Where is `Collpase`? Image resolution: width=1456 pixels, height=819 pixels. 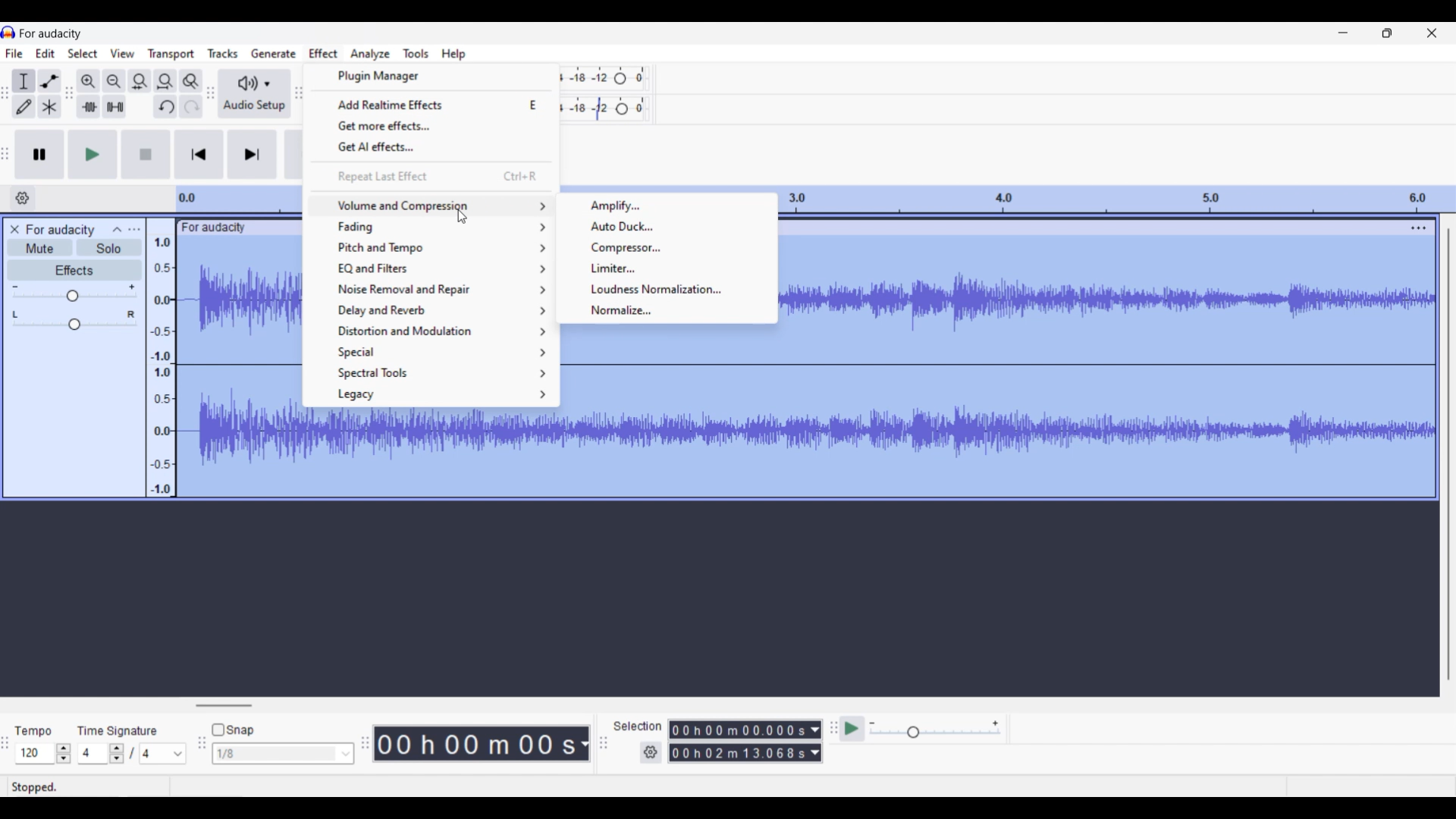
Collpase is located at coordinates (118, 229).